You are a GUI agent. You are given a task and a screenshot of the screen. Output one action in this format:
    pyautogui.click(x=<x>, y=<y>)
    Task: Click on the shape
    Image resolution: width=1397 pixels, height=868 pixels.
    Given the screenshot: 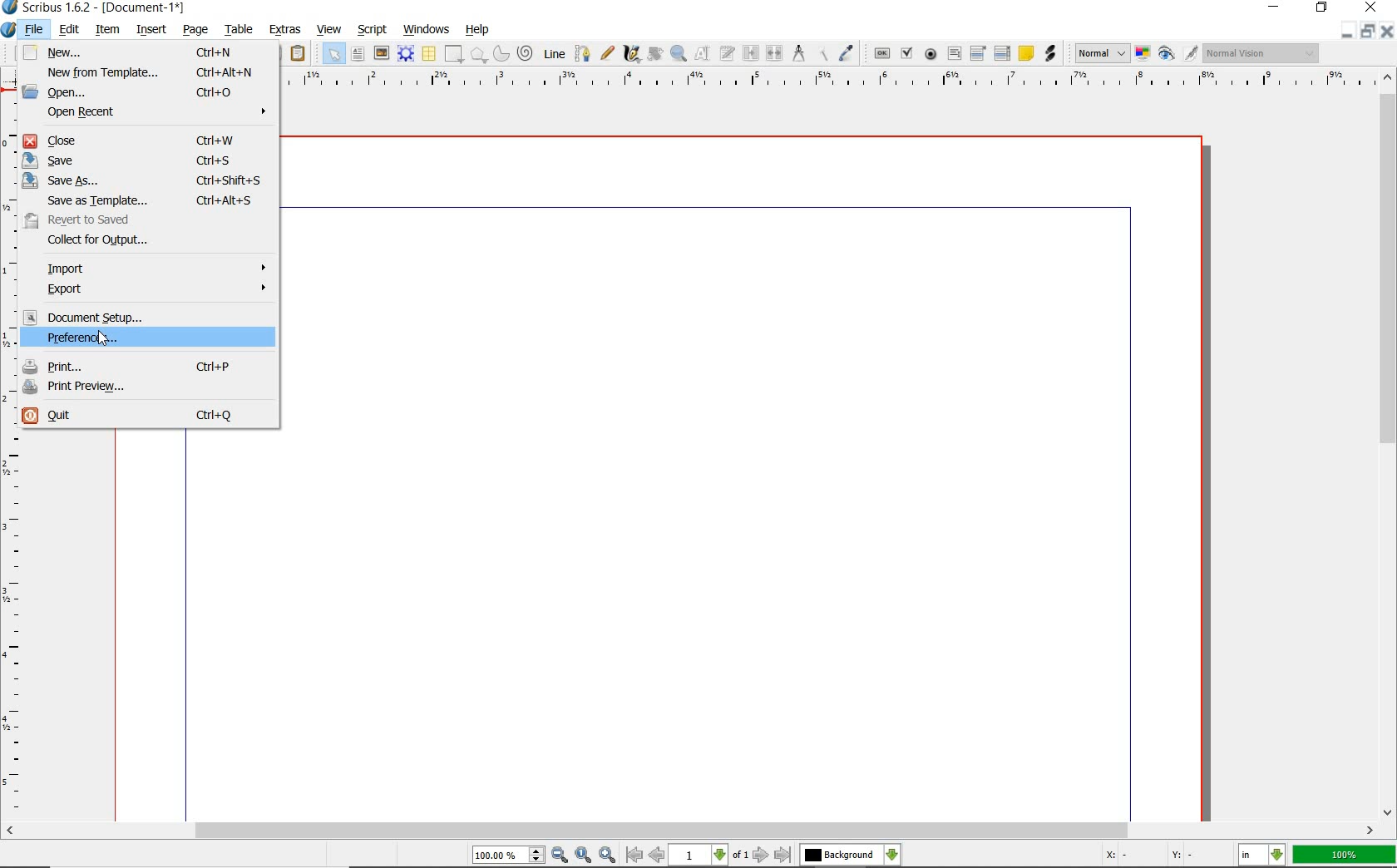 What is the action you would take?
    pyautogui.click(x=455, y=54)
    